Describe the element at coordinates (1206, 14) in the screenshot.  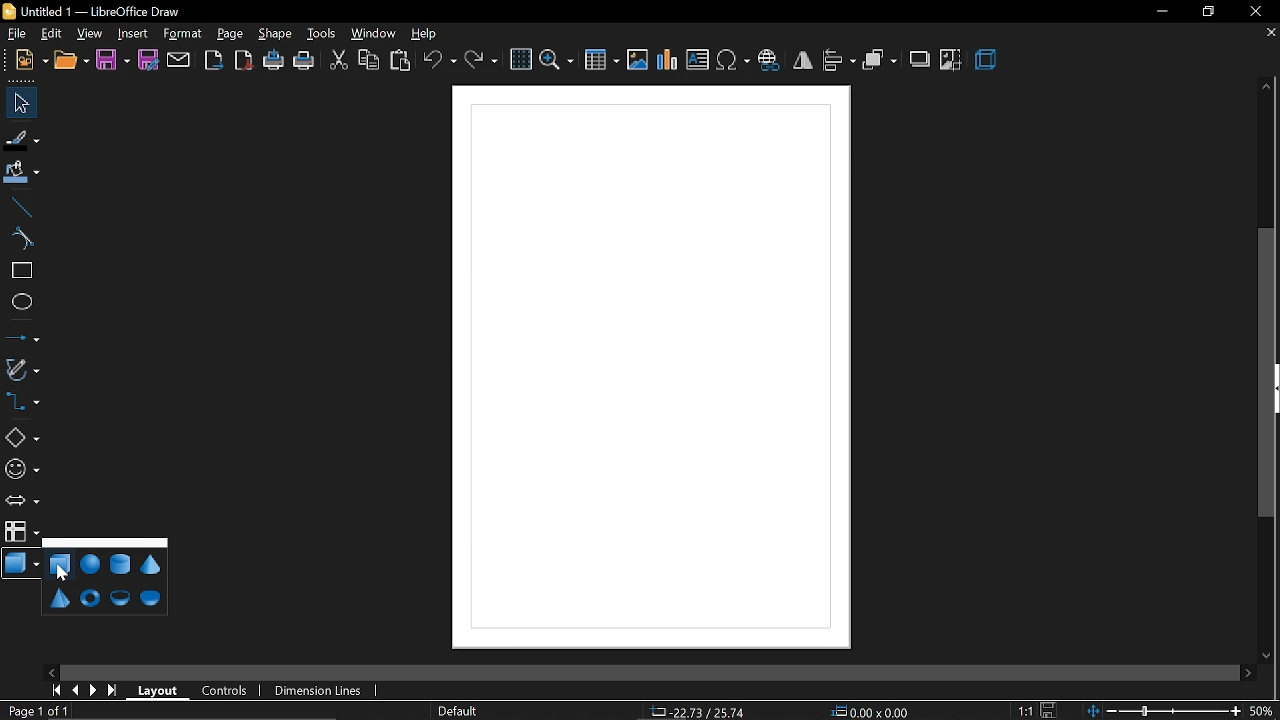
I see `restore down` at that location.